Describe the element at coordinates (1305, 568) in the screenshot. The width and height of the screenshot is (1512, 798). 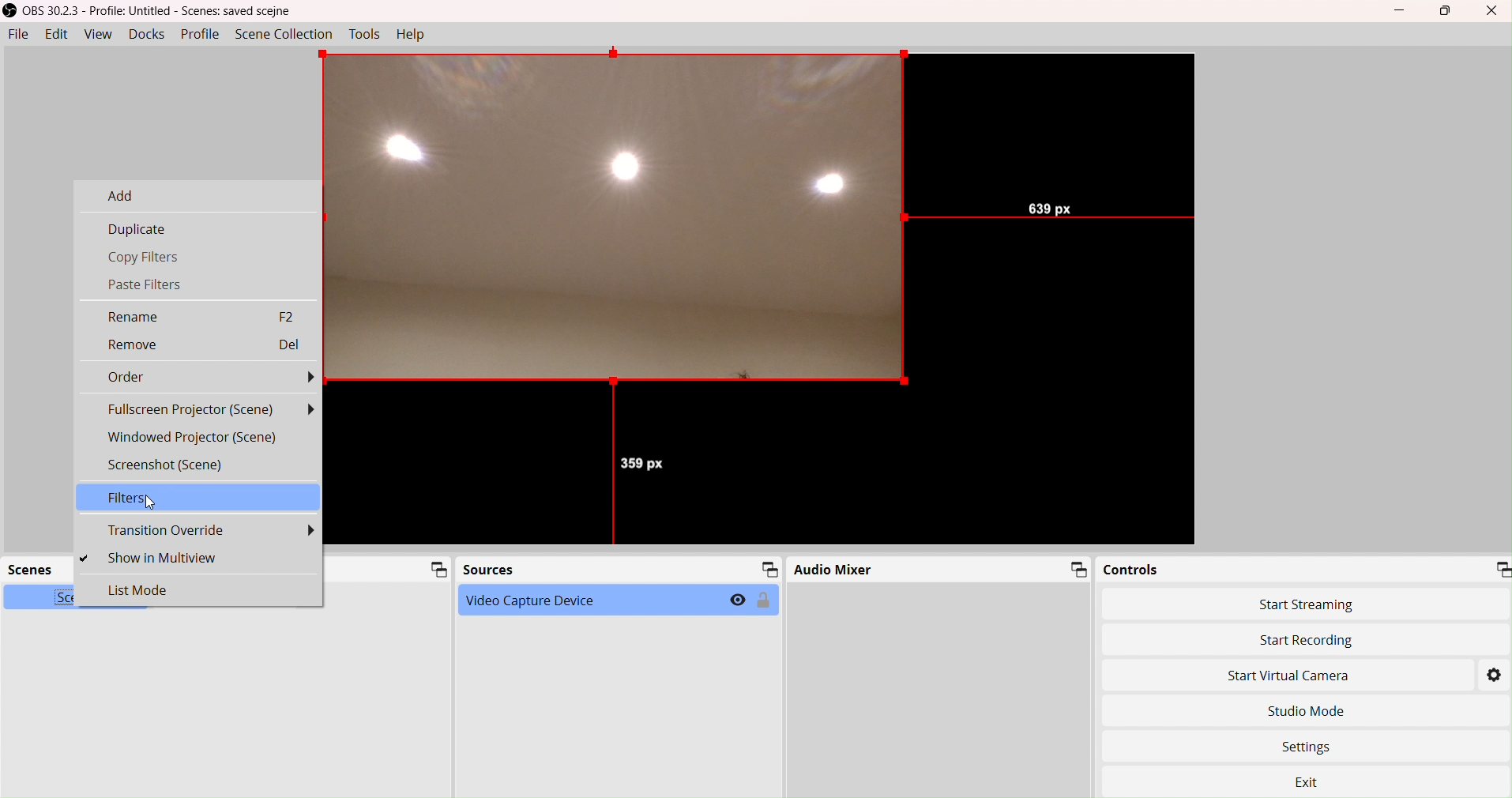
I see `Controls` at that location.